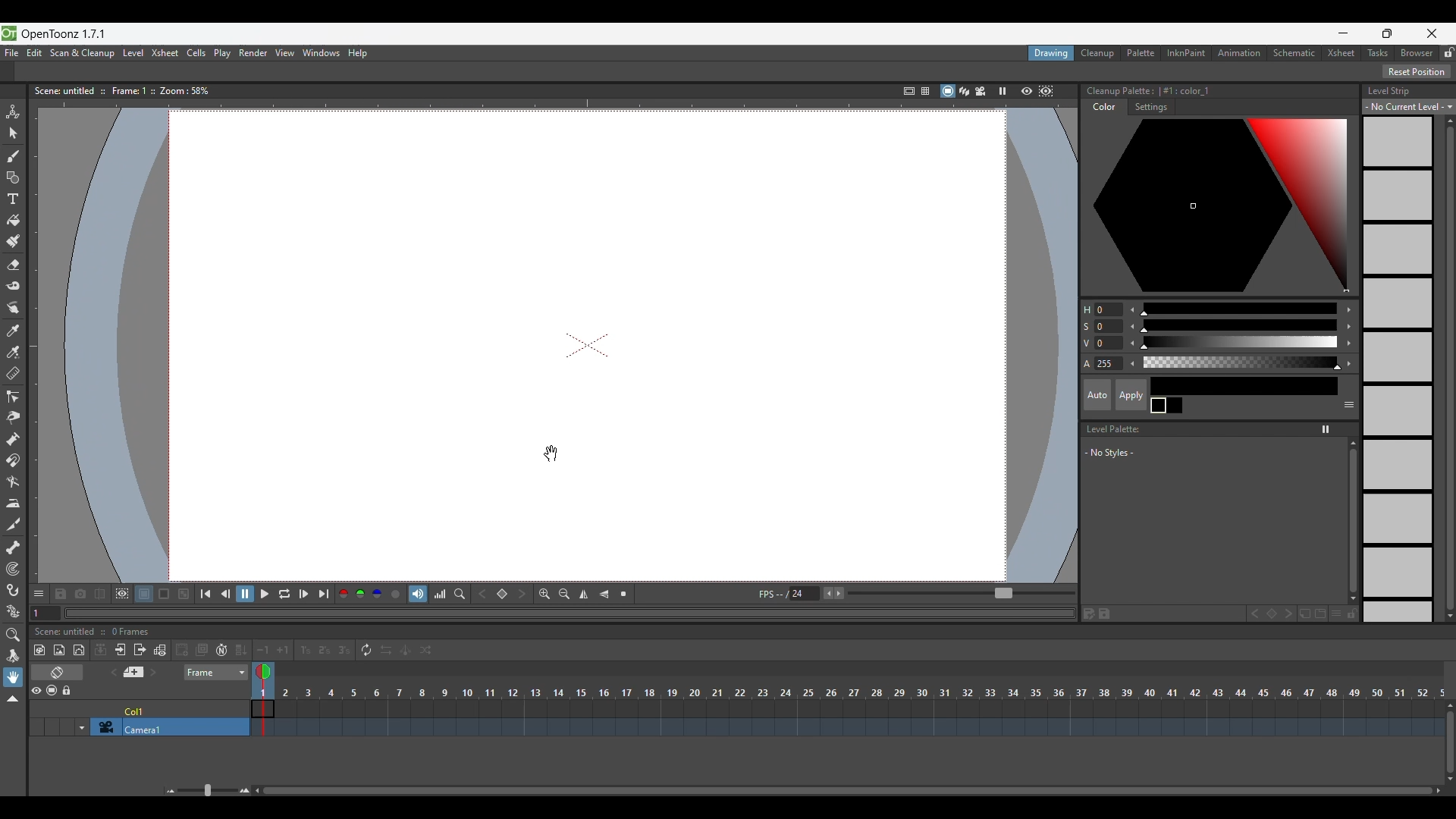 The width and height of the screenshot is (1456, 819). Describe the element at coordinates (1286, 613) in the screenshot. I see `Next key` at that location.